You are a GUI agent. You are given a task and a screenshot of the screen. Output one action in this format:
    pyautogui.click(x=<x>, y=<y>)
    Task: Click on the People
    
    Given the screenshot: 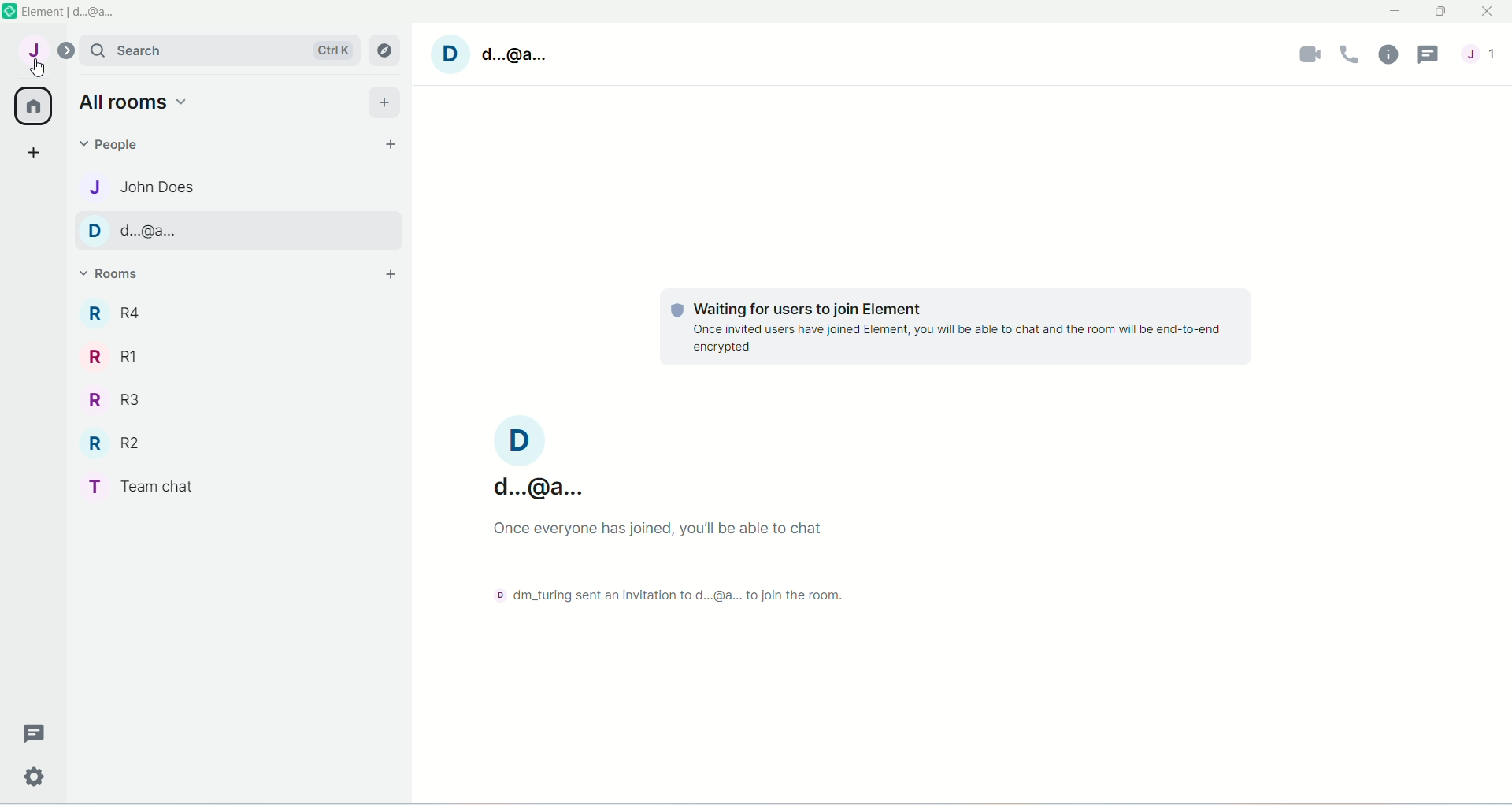 What is the action you would take?
    pyautogui.click(x=117, y=143)
    